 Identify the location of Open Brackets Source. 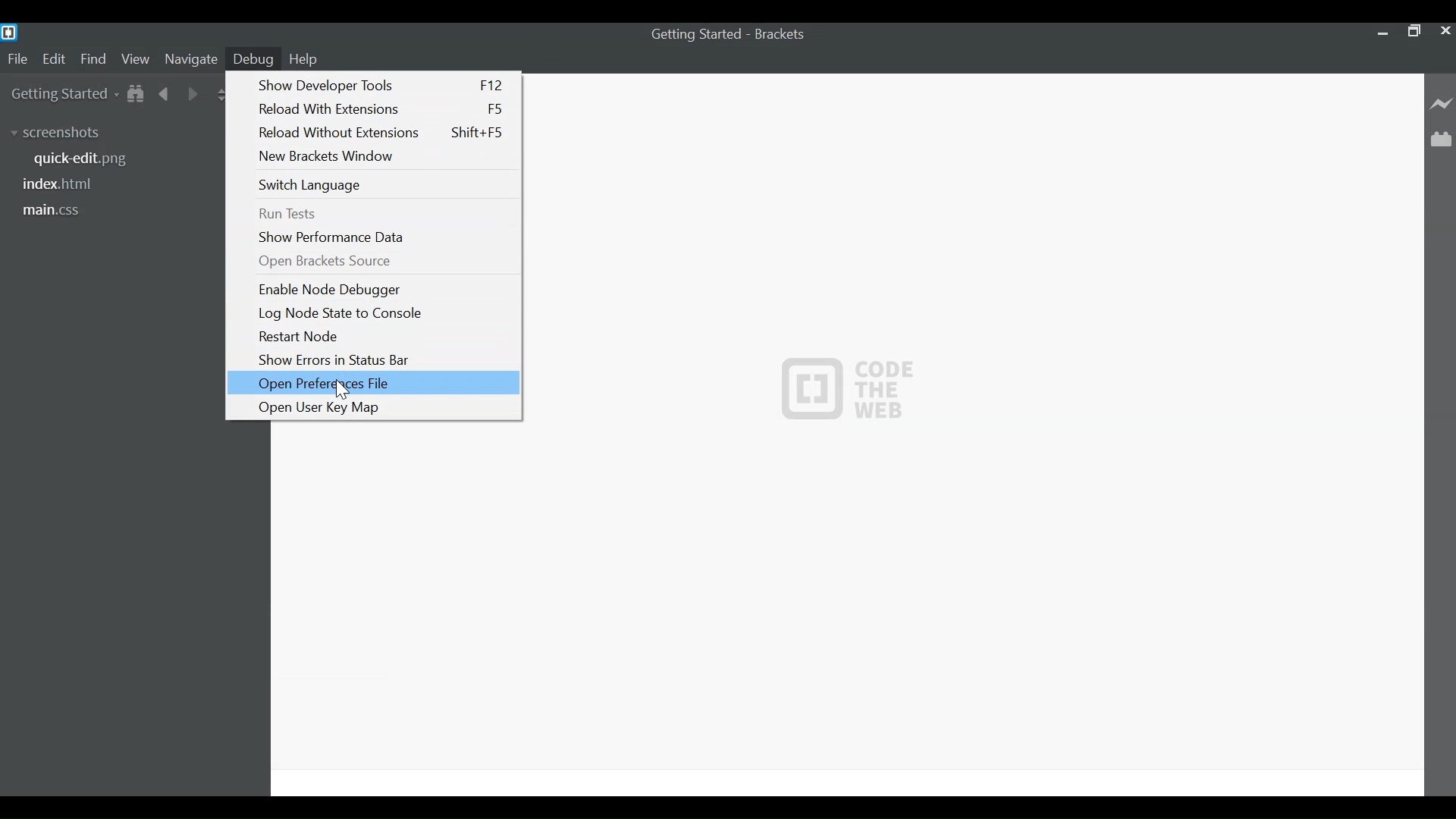
(384, 262).